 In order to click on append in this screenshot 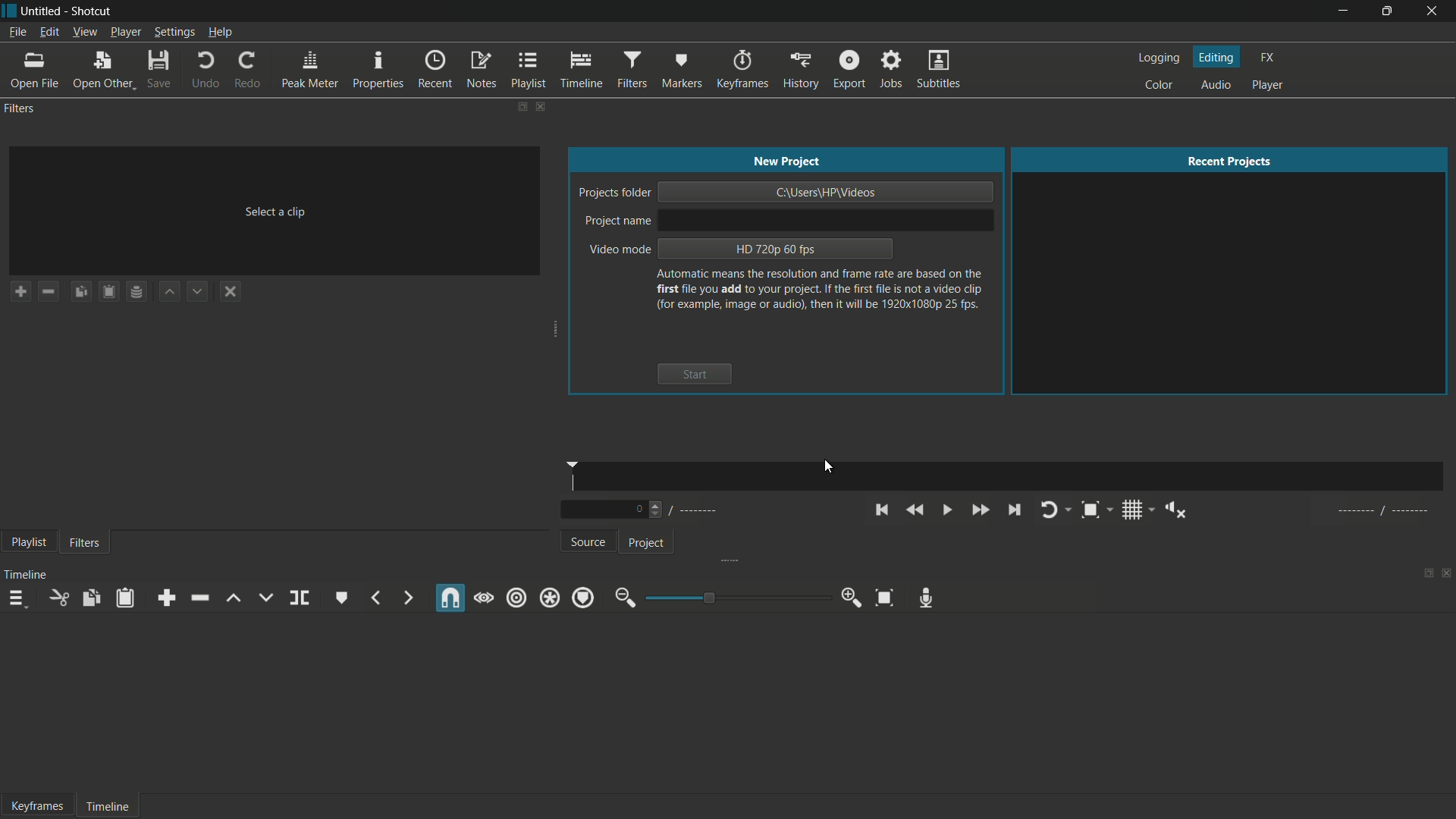, I will do `click(166, 599)`.